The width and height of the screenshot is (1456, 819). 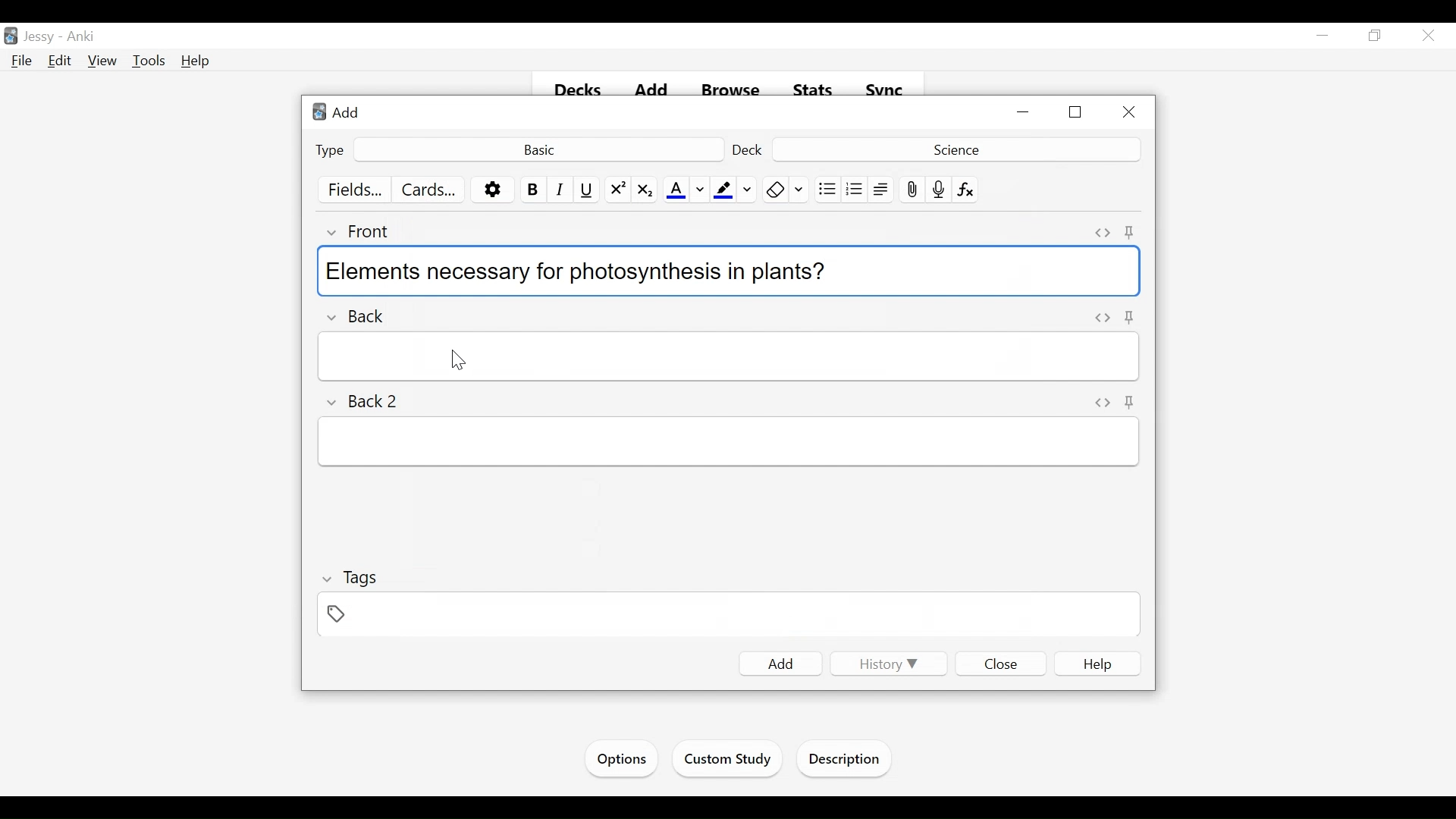 What do you see at coordinates (1323, 36) in the screenshot?
I see `minimize` at bounding box center [1323, 36].